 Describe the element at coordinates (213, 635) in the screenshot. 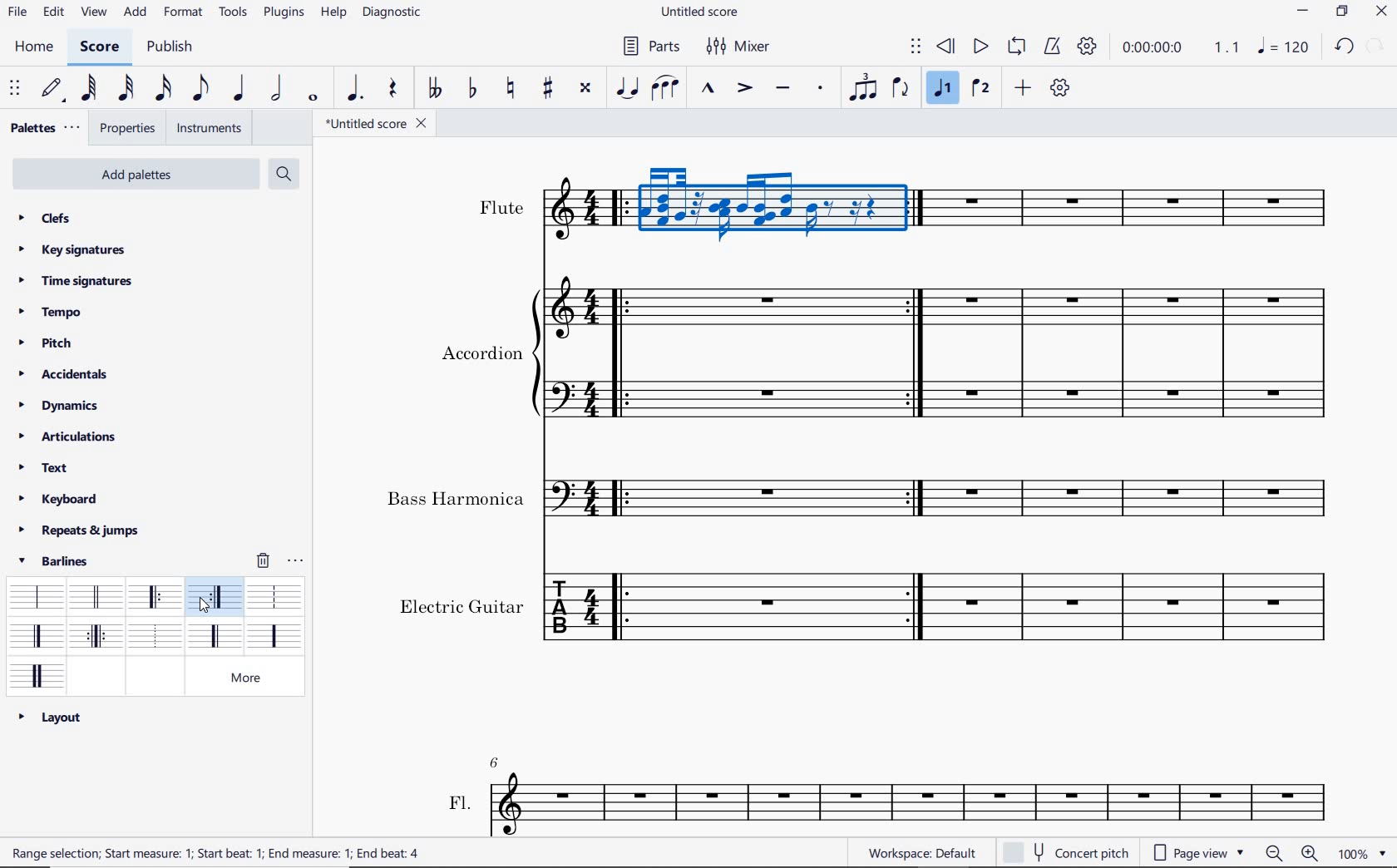

I see `dashed barline` at that location.